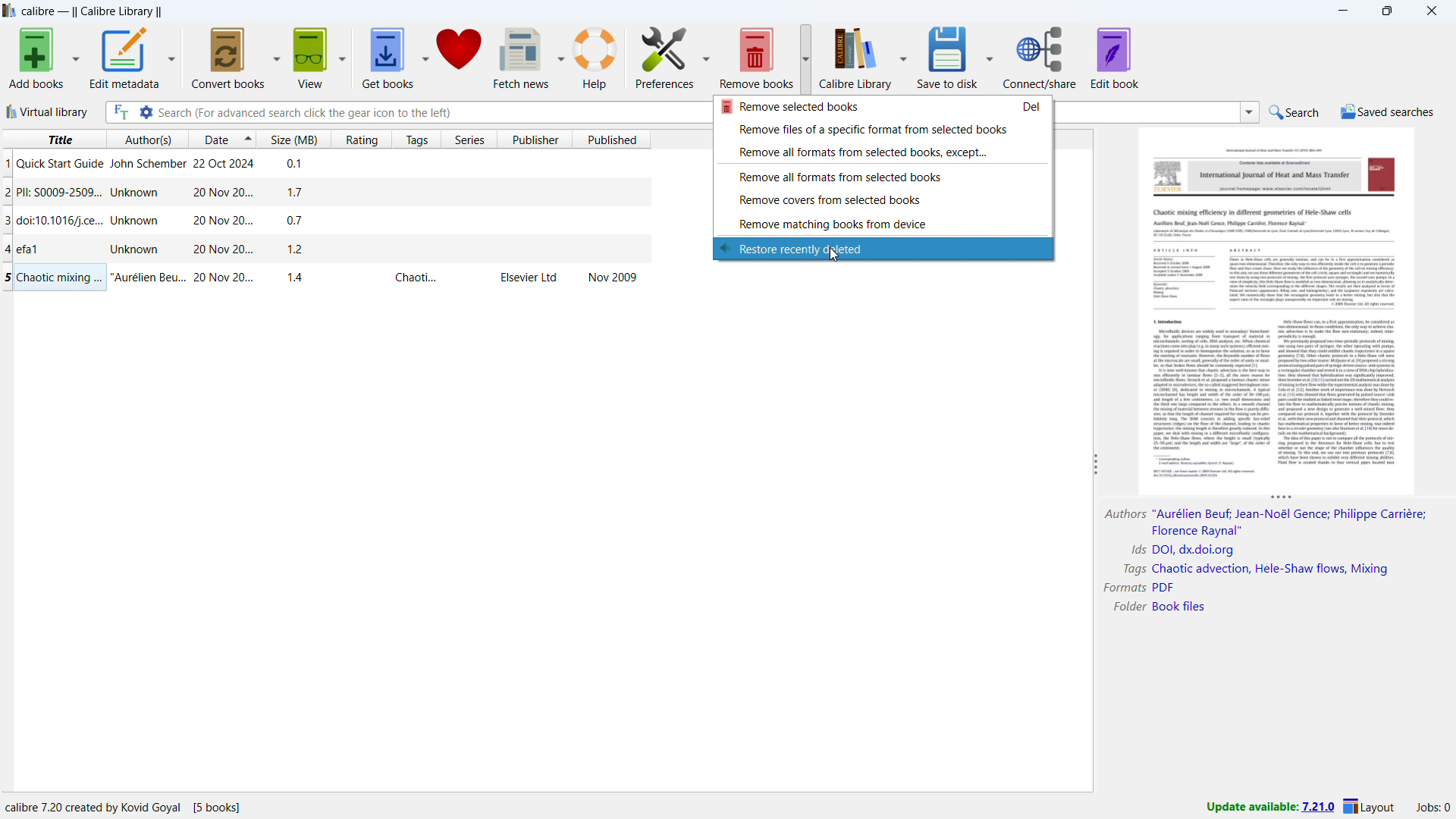  I want to click on edit book, so click(1115, 57).